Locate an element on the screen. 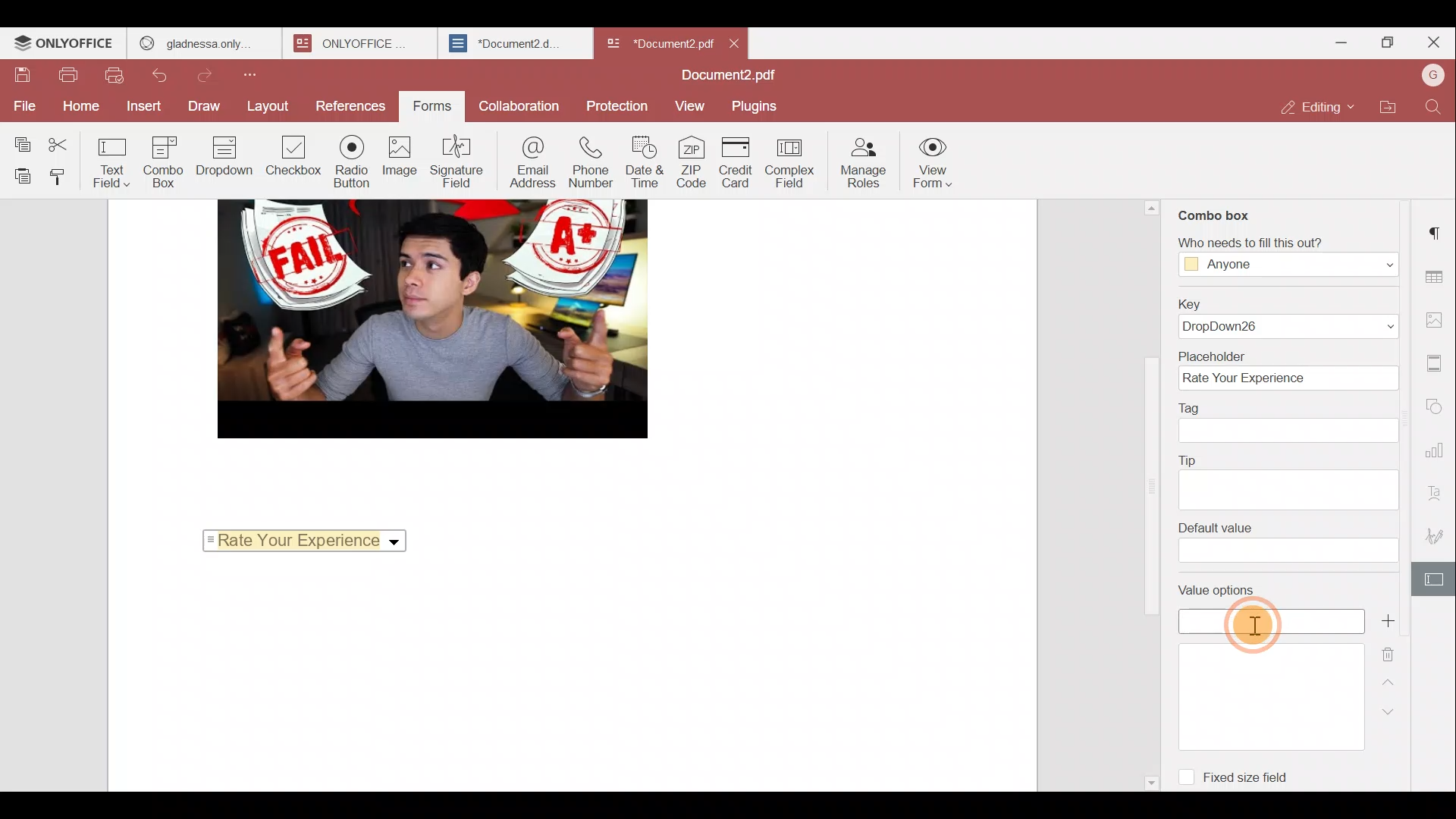 The width and height of the screenshot is (1456, 819). Remove value is located at coordinates (1391, 655).